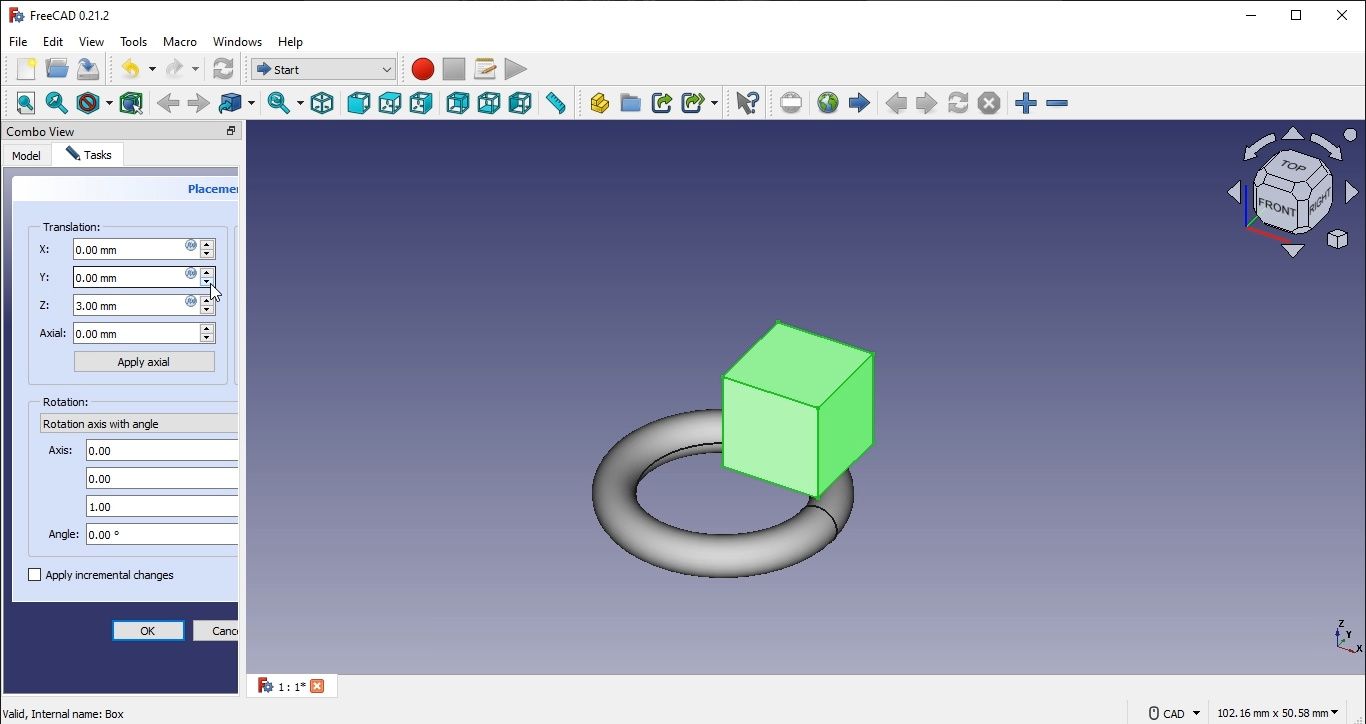  What do you see at coordinates (391, 104) in the screenshot?
I see `top` at bounding box center [391, 104].